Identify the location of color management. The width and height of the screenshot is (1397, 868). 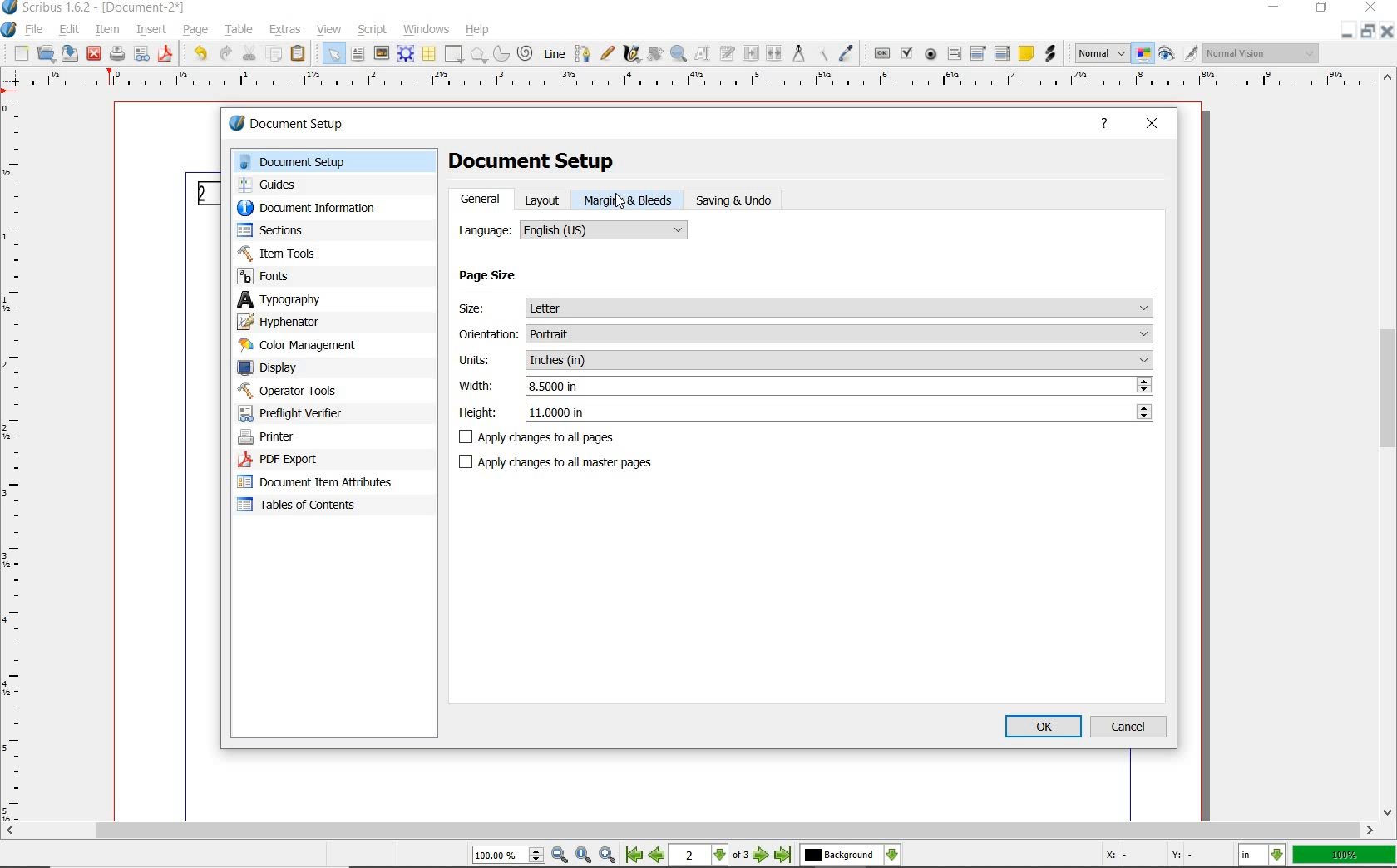
(303, 347).